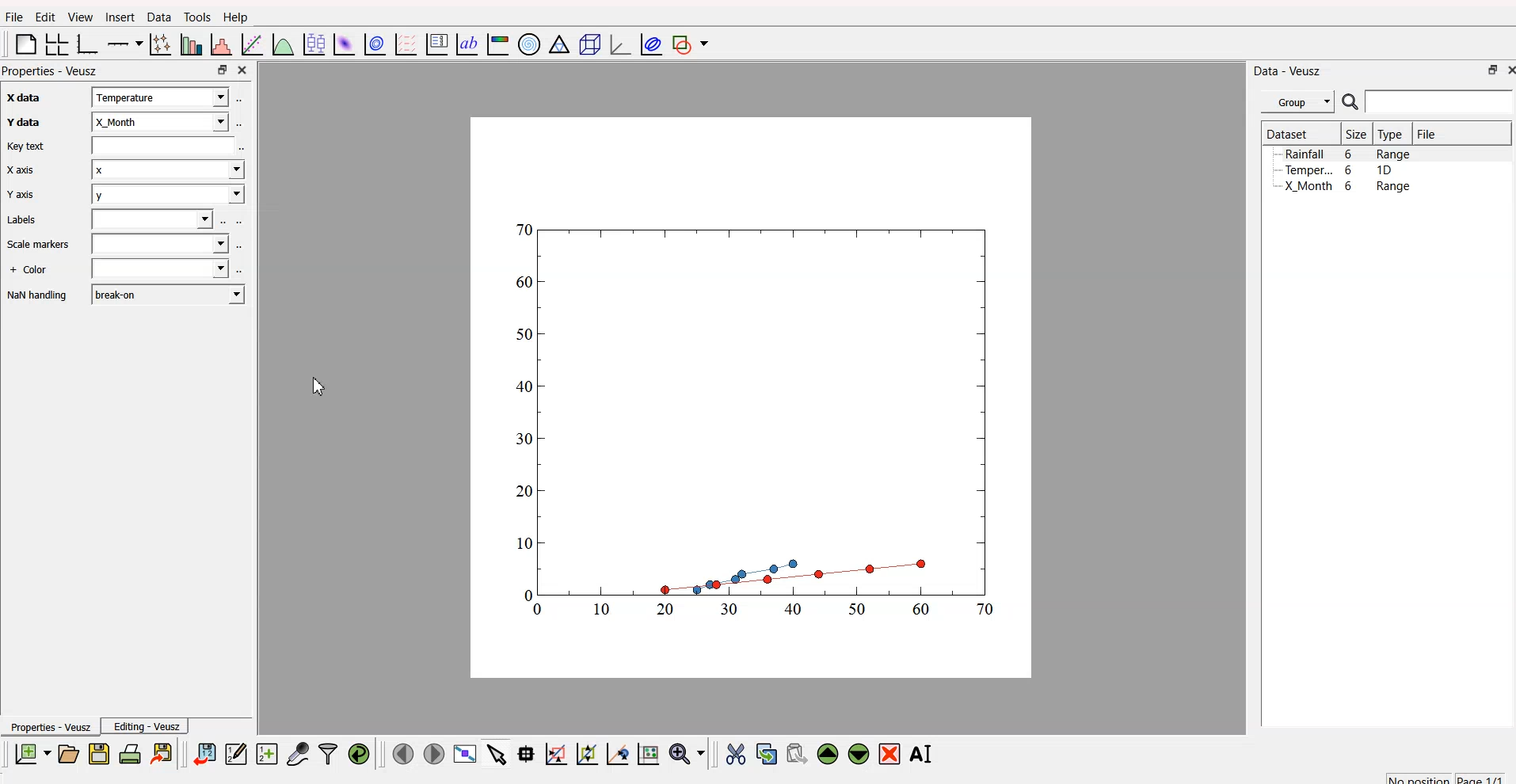 This screenshot has width=1516, height=784. I want to click on View, so click(76, 17).